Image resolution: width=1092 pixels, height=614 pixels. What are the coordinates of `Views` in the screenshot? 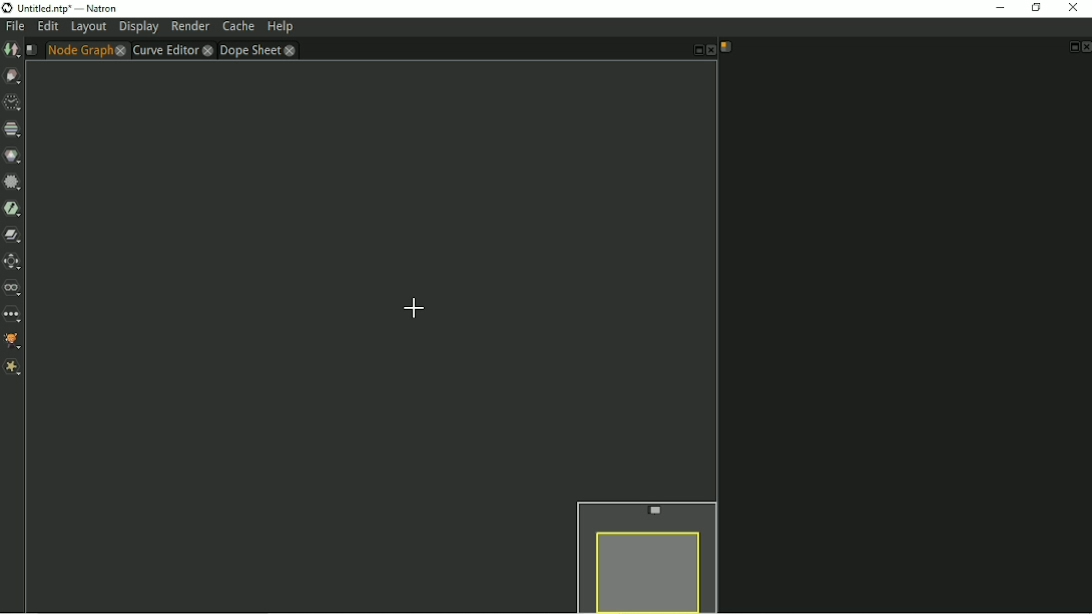 It's located at (13, 288).